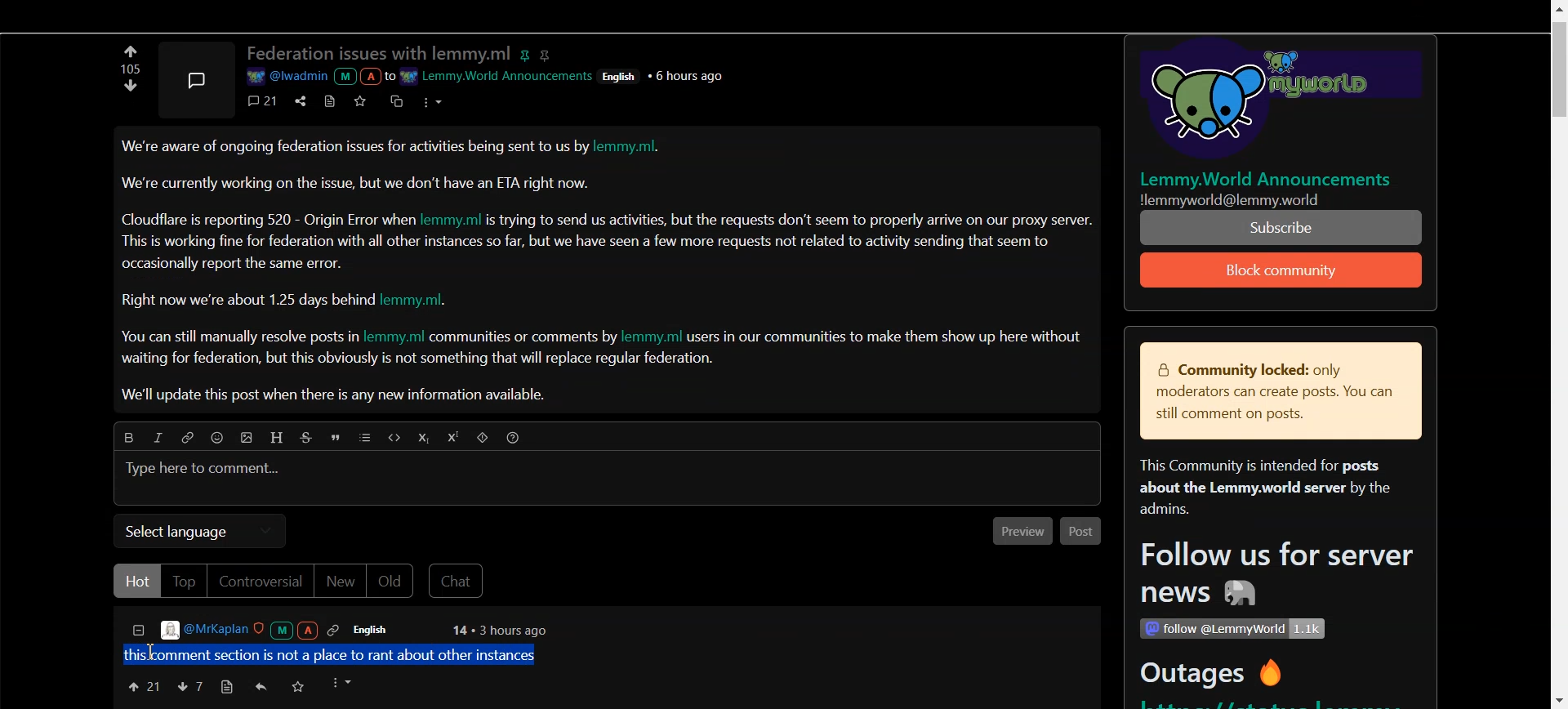 This screenshot has height=709, width=1568. Describe the element at coordinates (524, 338) in the screenshot. I see `communities or comments by` at that location.